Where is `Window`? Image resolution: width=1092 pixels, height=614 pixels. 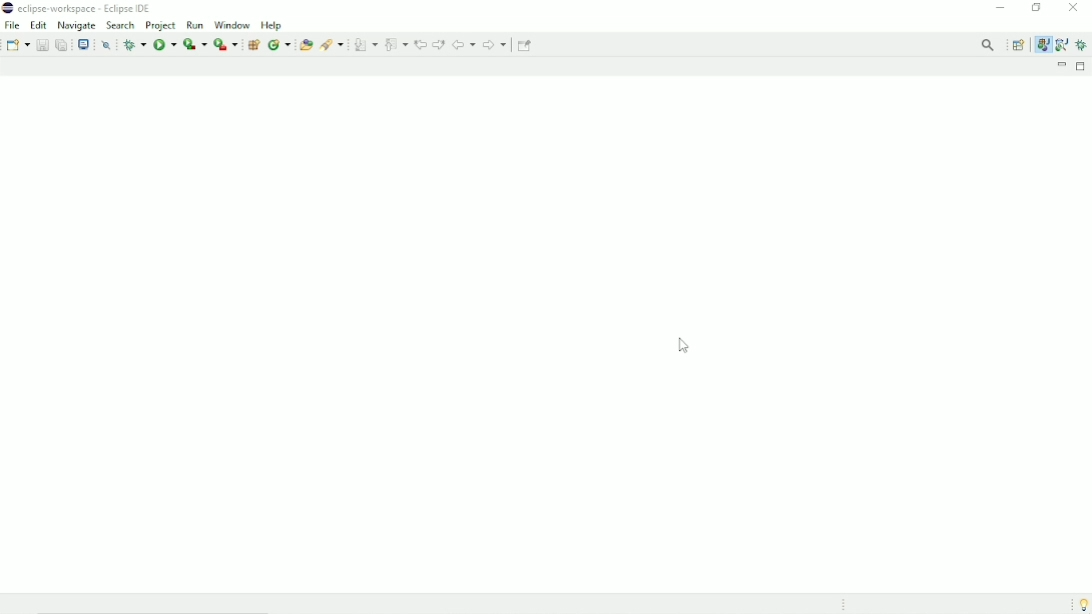 Window is located at coordinates (231, 25).